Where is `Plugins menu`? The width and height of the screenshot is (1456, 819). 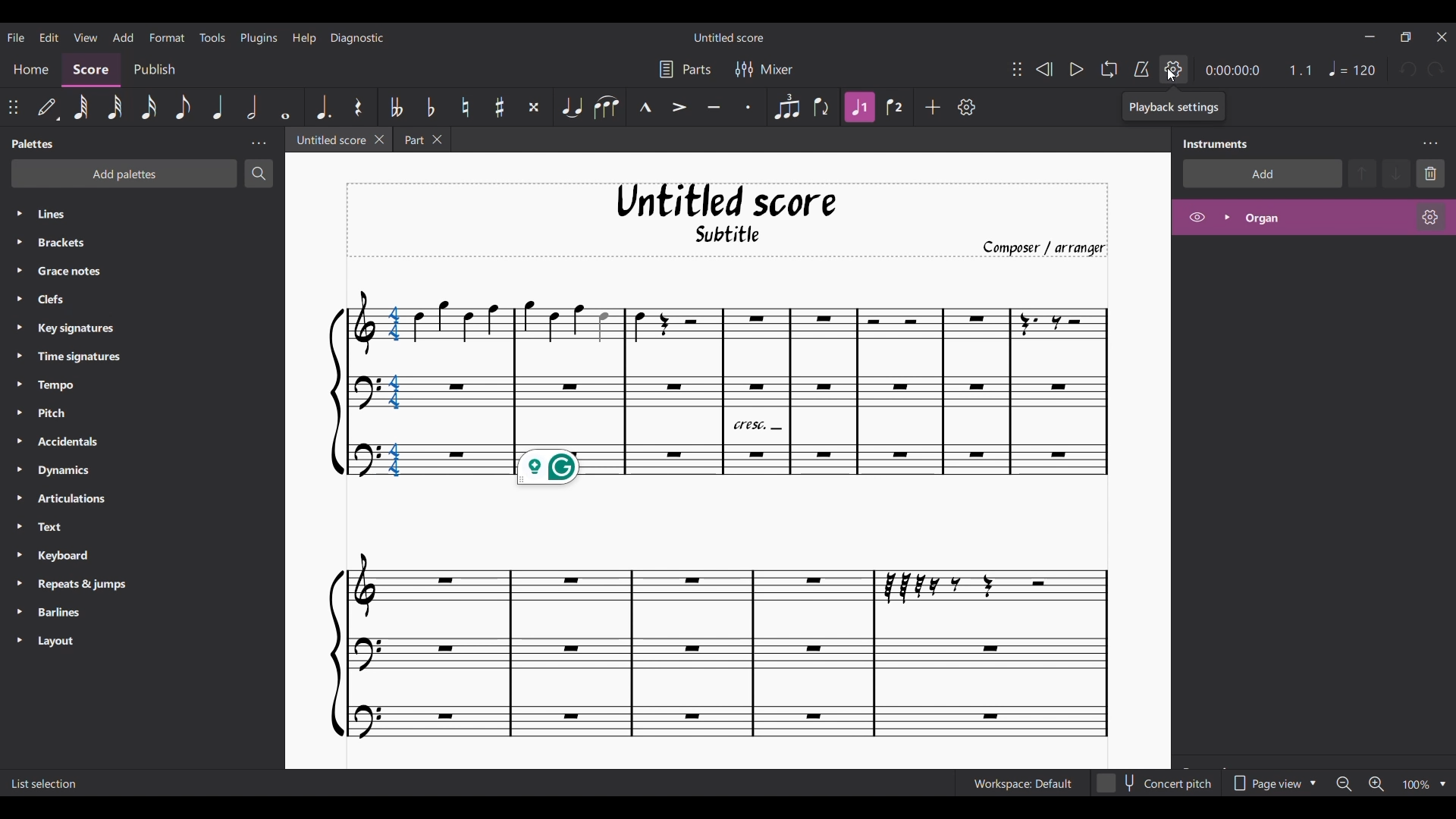
Plugins menu is located at coordinates (259, 38).